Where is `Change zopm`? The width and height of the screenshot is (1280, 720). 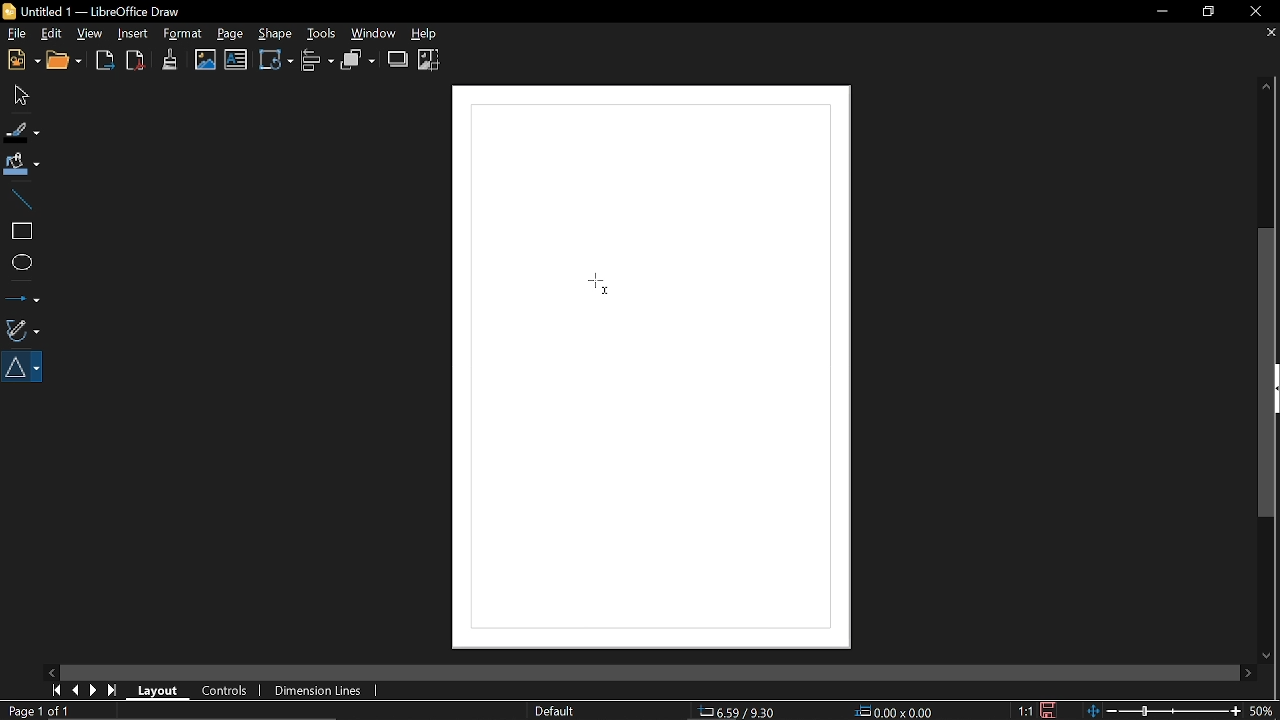
Change zopm is located at coordinates (1163, 712).